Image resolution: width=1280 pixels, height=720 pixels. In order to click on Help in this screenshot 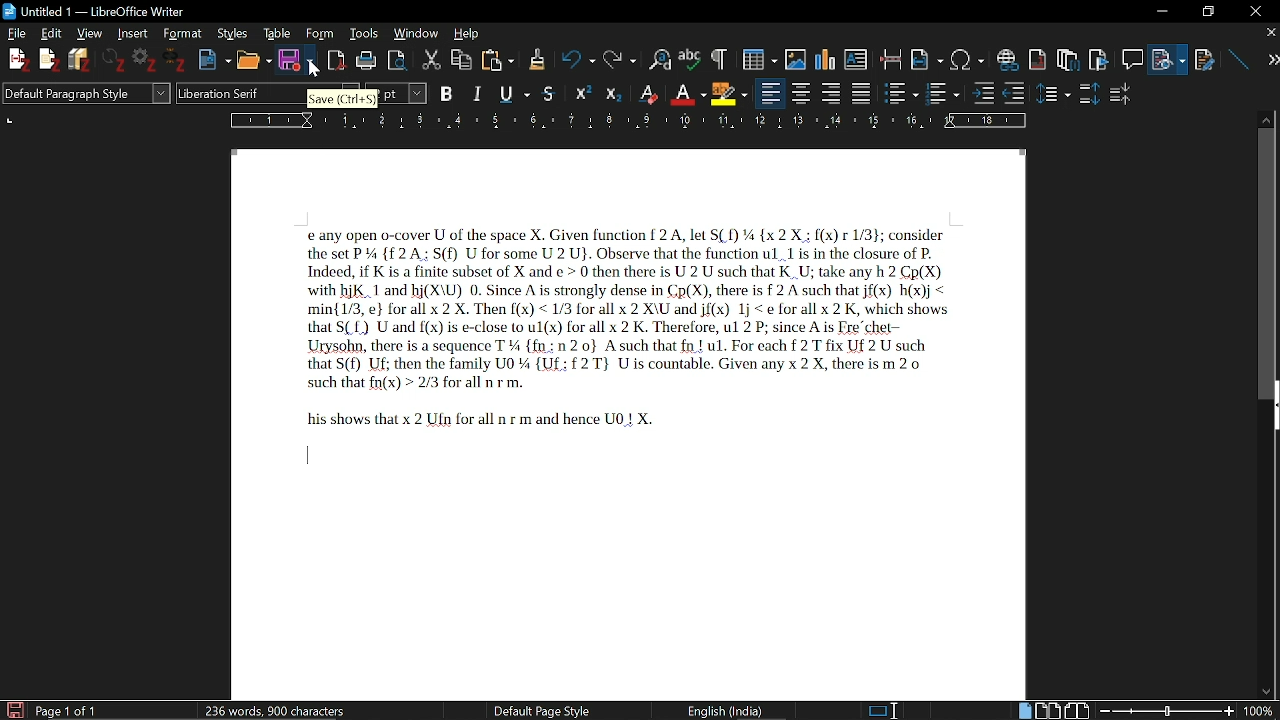, I will do `click(467, 32)`.